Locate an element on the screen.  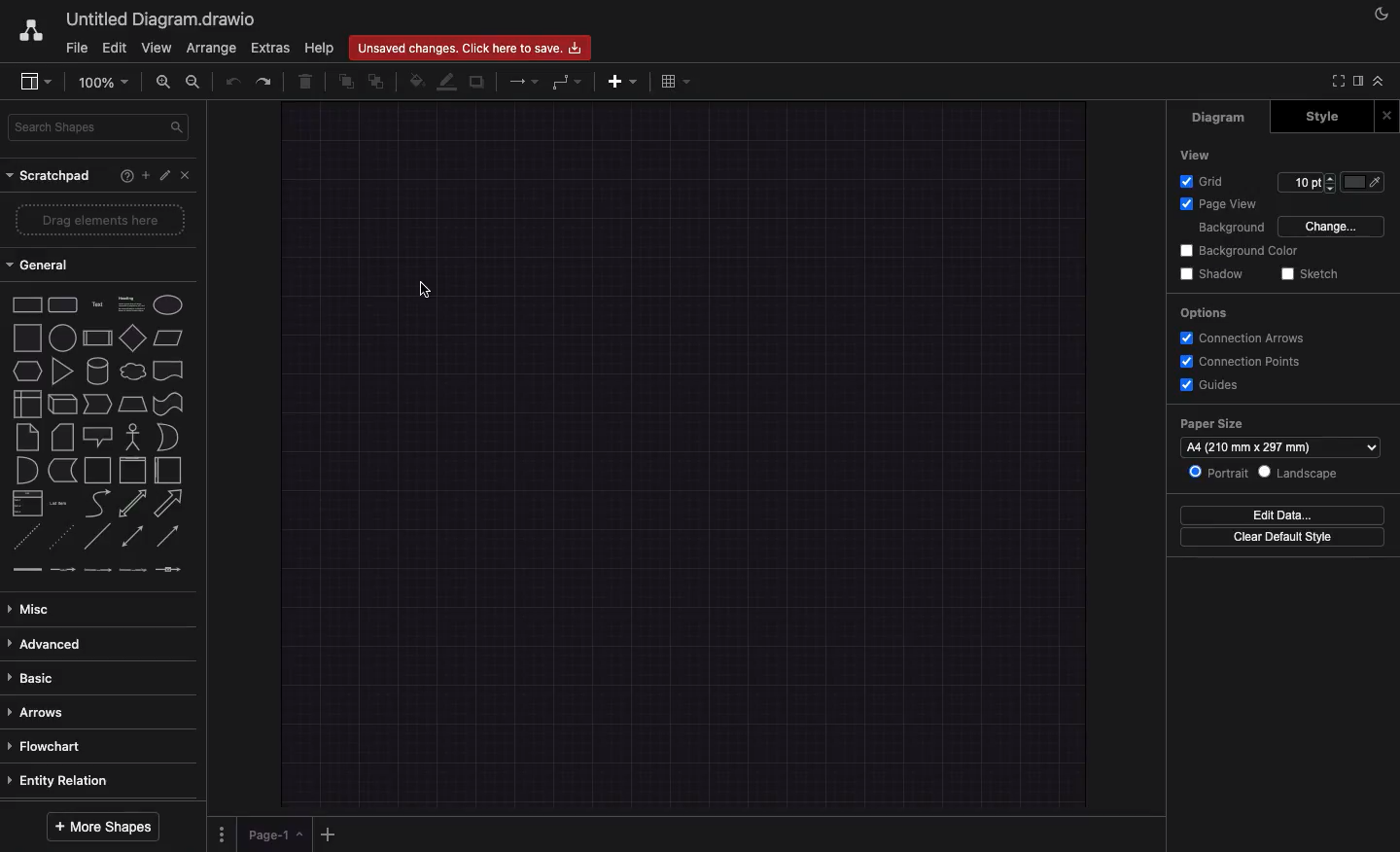
cube is located at coordinates (63, 404).